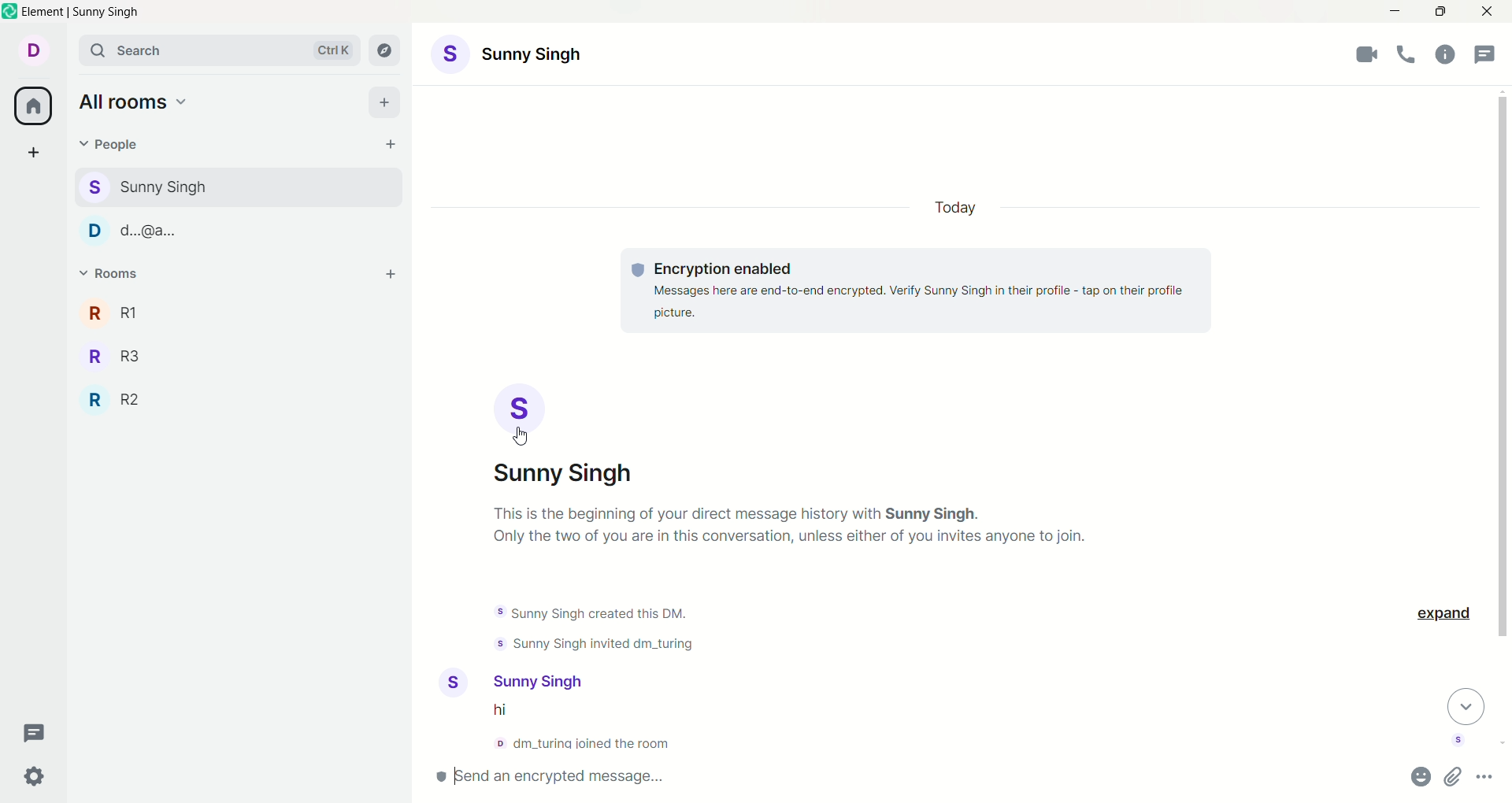  Describe the element at coordinates (34, 155) in the screenshot. I see `create a space` at that location.